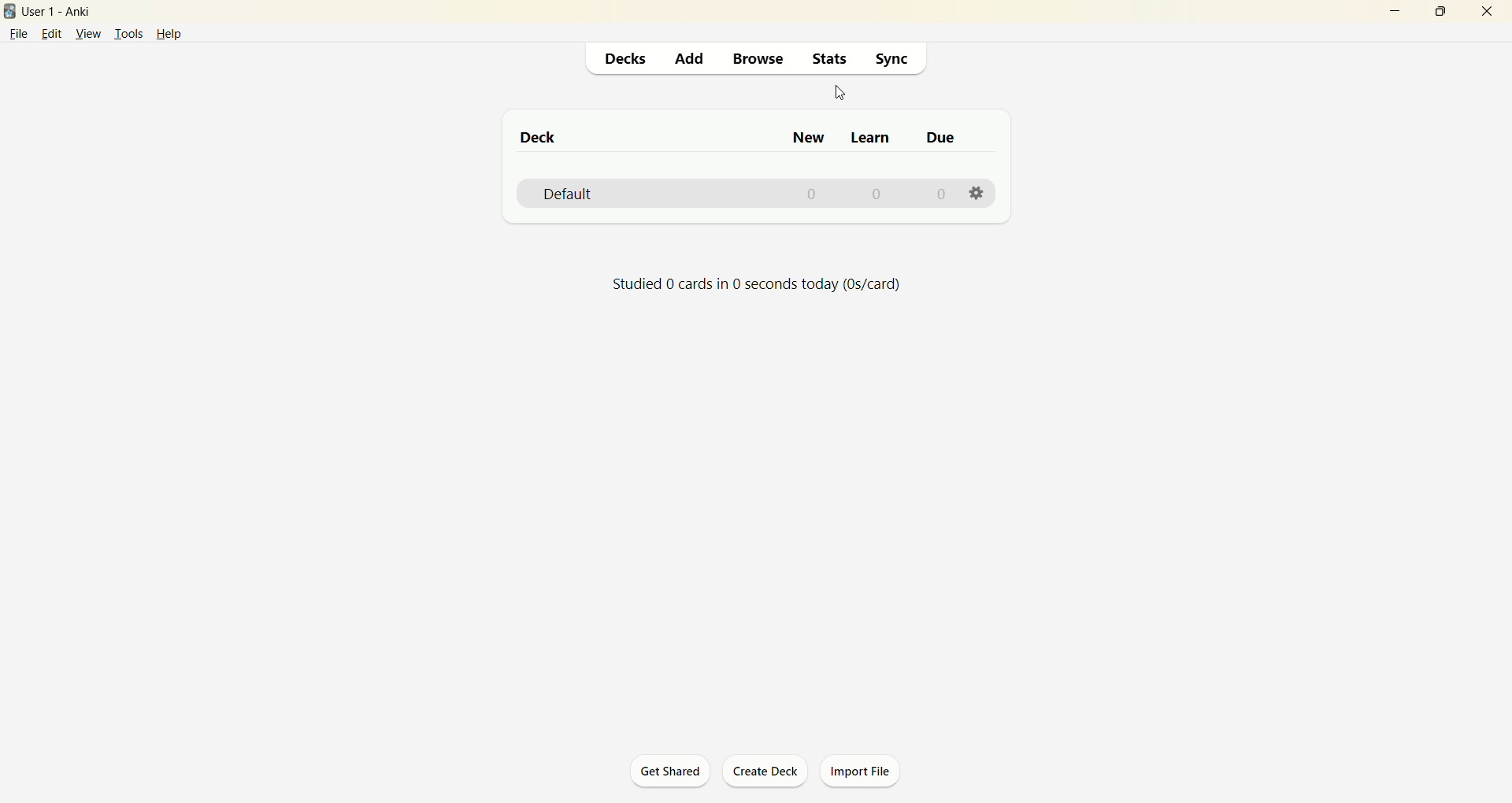 The height and width of the screenshot is (803, 1512). What do you see at coordinates (540, 136) in the screenshot?
I see `deck` at bounding box center [540, 136].